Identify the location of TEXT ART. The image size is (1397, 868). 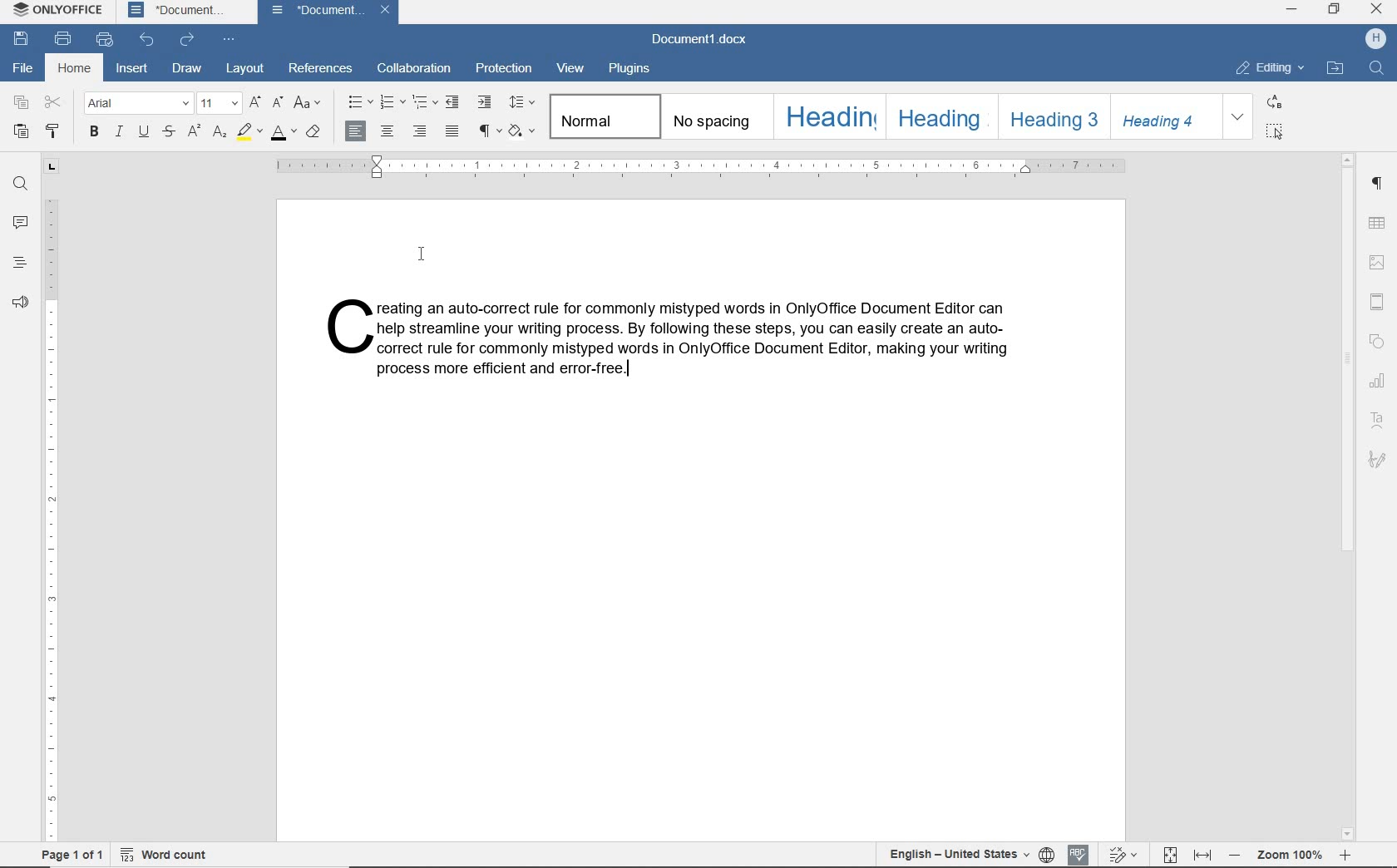
(1379, 422).